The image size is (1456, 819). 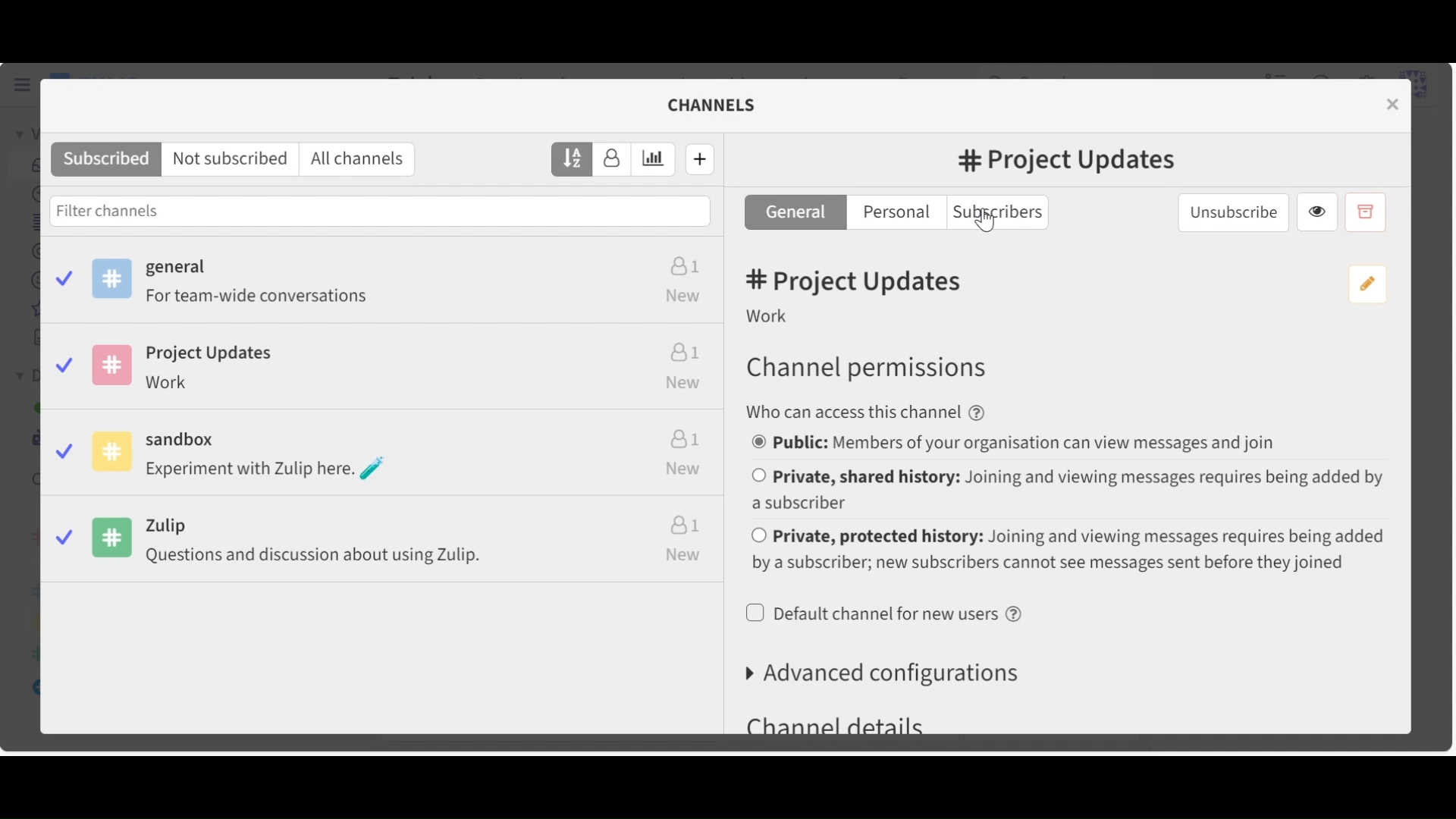 What do you see at coordinates (699, 159) in the screenshot?
I see `Create new channel` at bounding box center [699, 159].